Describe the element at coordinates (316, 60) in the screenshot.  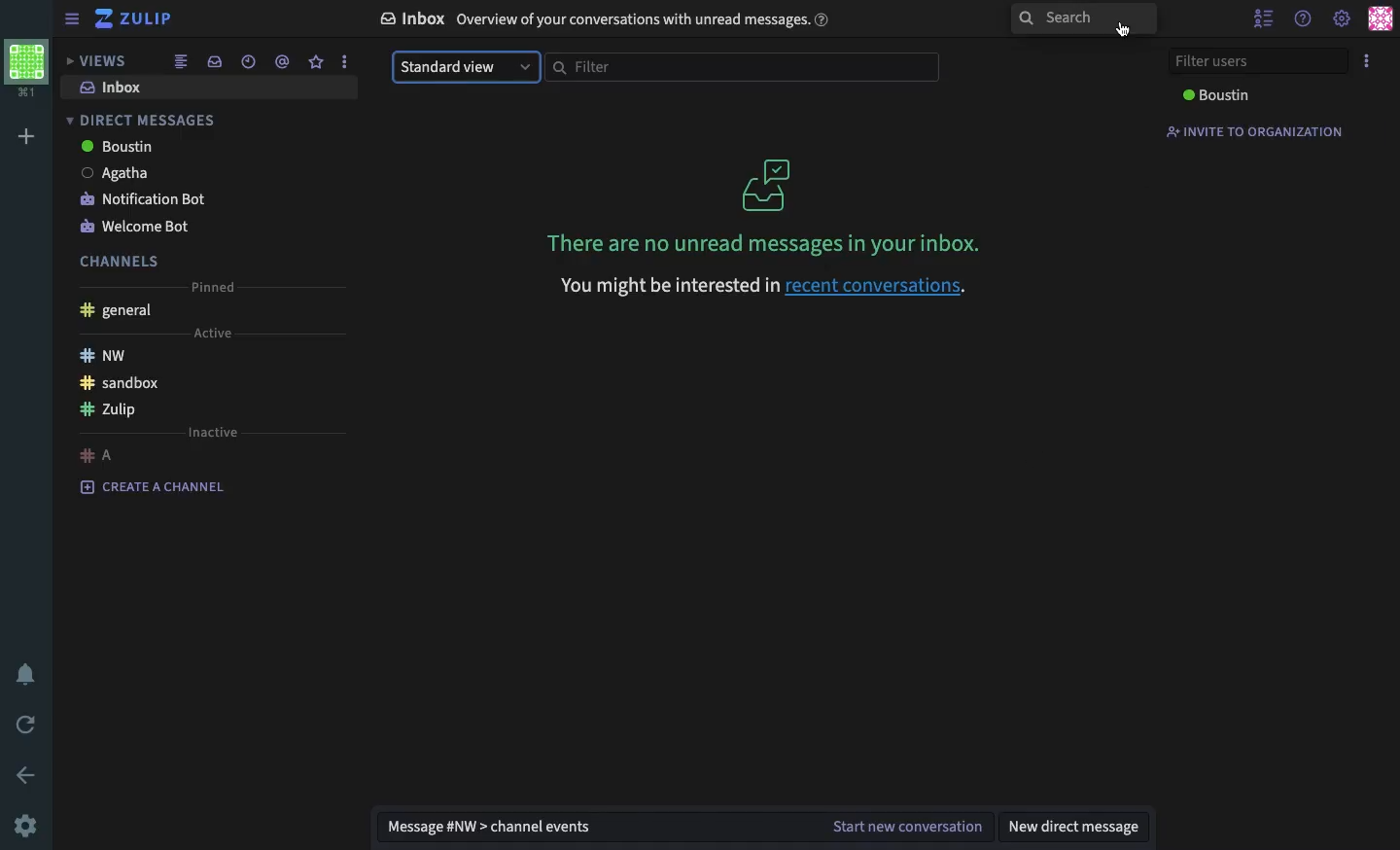
I see `star` at that location.